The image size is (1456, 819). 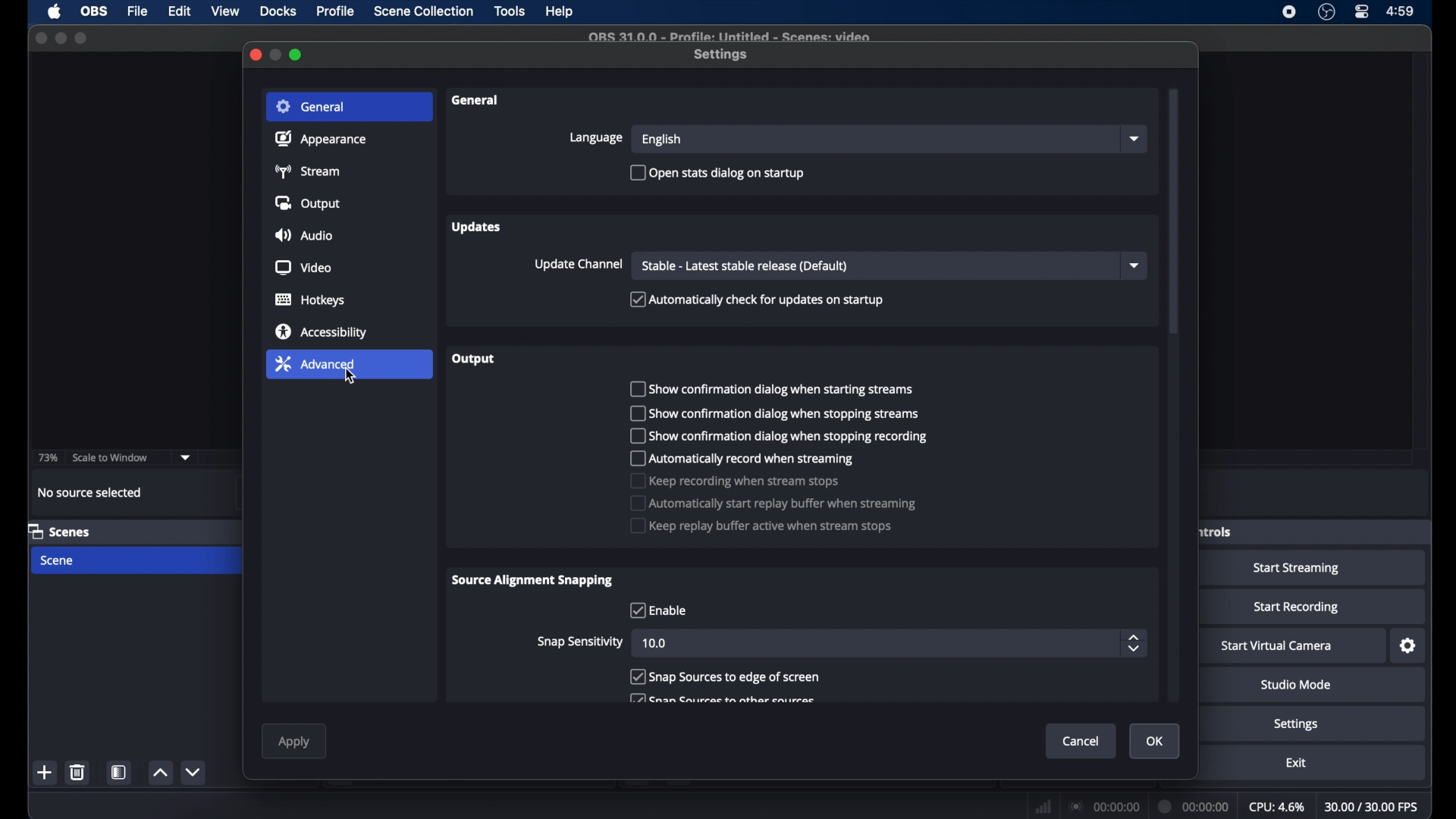 What do you see at coordinates (226, 11) in the screenshot?
I see `view` at bounding box center [226, 11].